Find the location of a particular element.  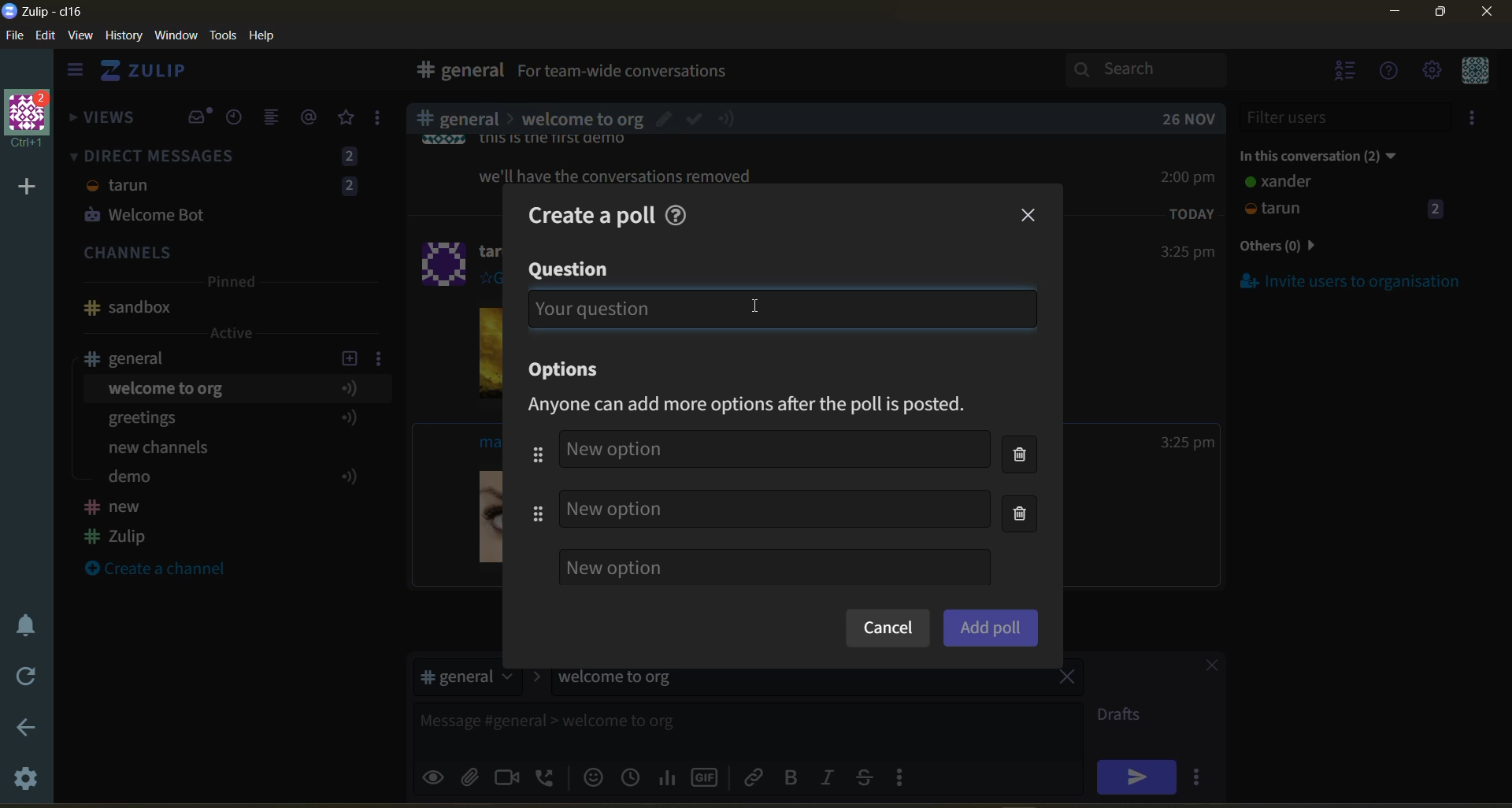

remove topic is located at coordinates (1067, 679).